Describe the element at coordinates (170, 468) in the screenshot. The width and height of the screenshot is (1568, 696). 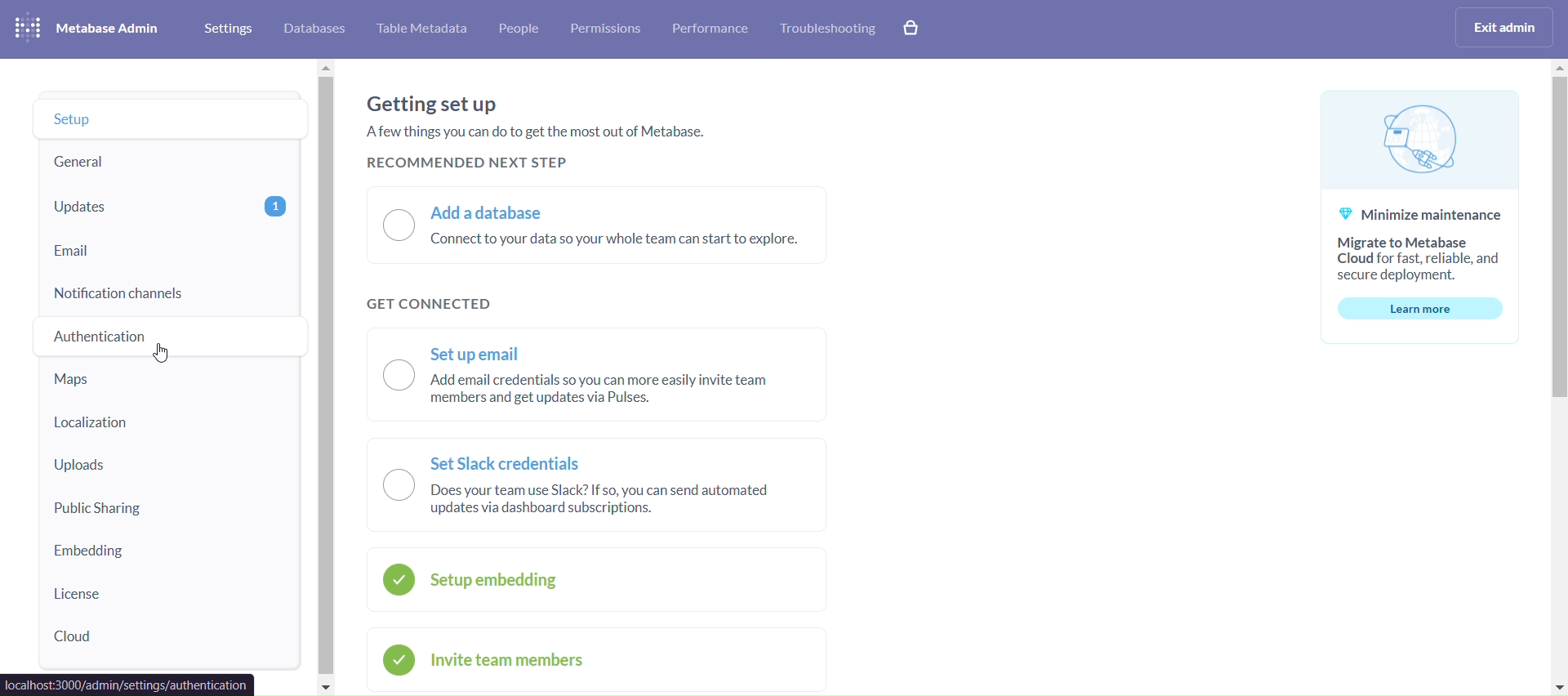
I see `uploads` at that location.